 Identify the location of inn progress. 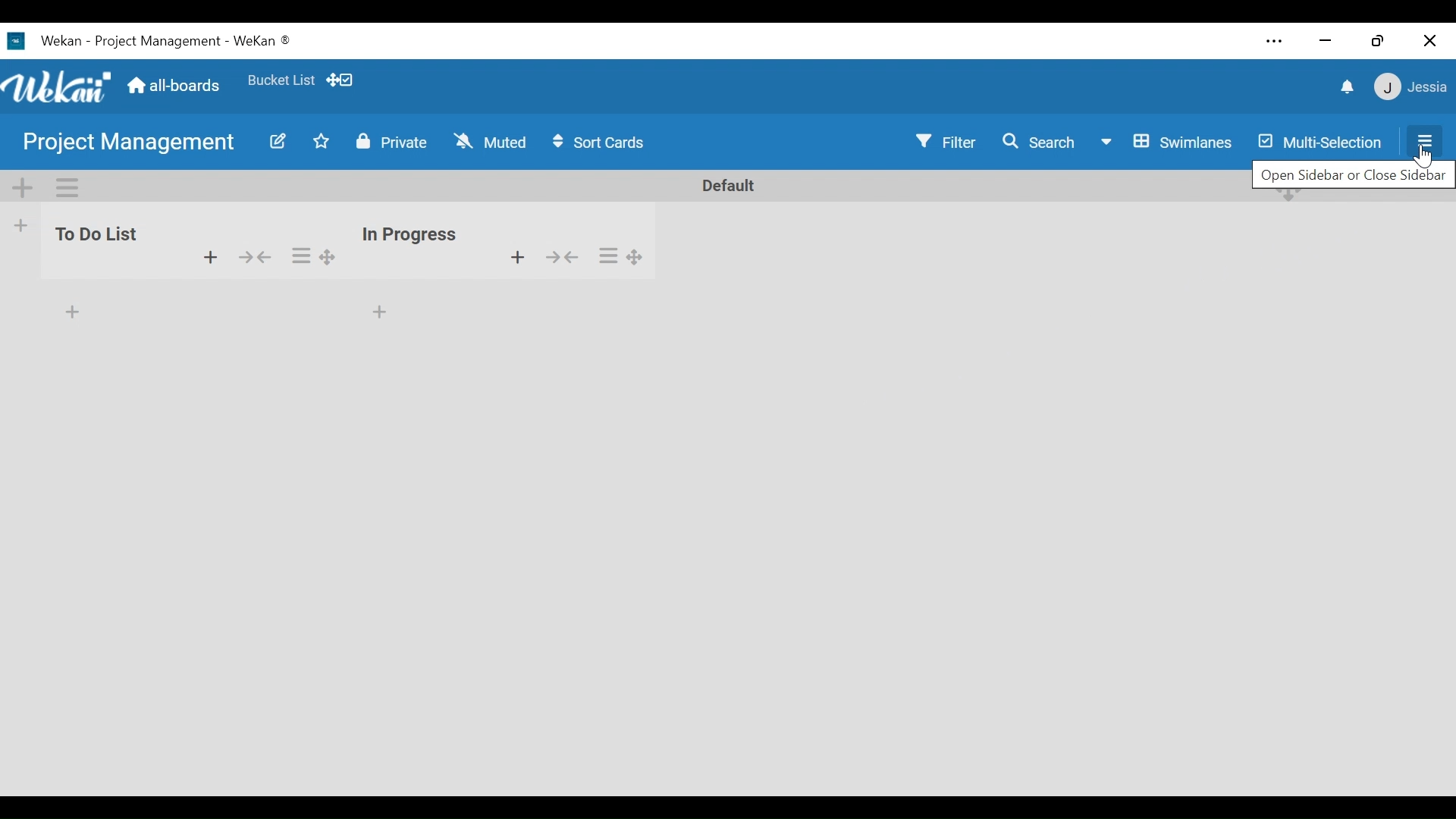
(410, 228).